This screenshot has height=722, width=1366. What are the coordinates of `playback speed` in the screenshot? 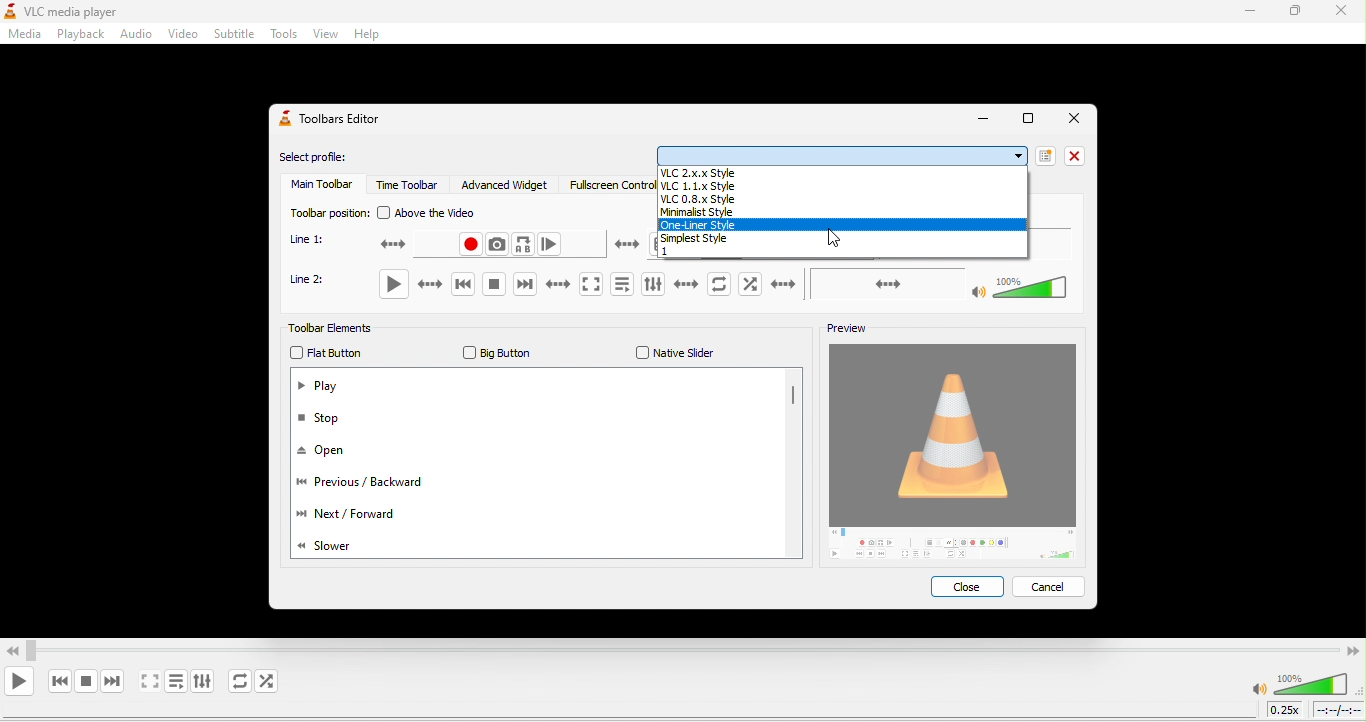 It's located at (1285, 711).